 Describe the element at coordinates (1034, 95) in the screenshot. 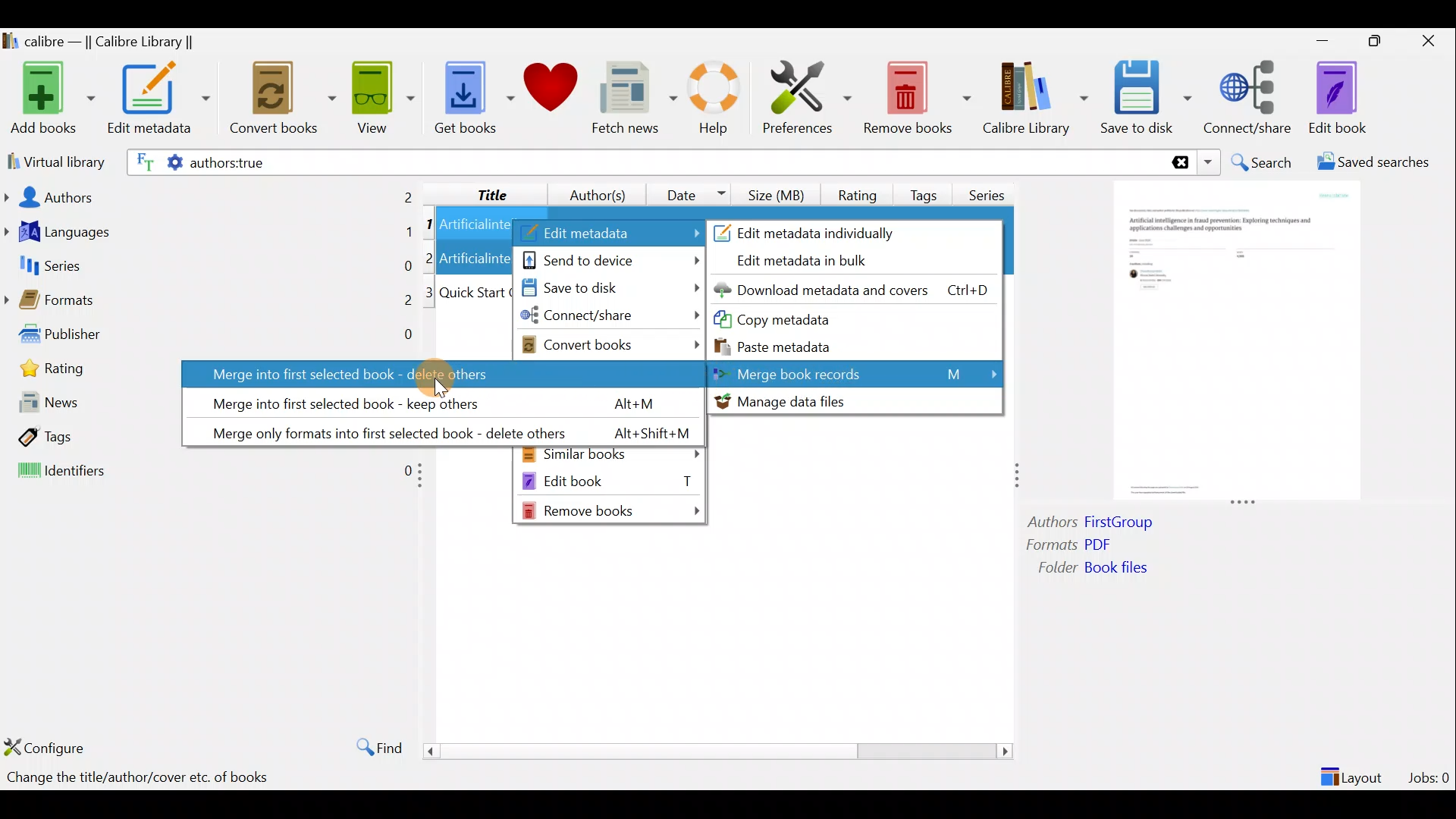

I see `Calibre library` at that location.